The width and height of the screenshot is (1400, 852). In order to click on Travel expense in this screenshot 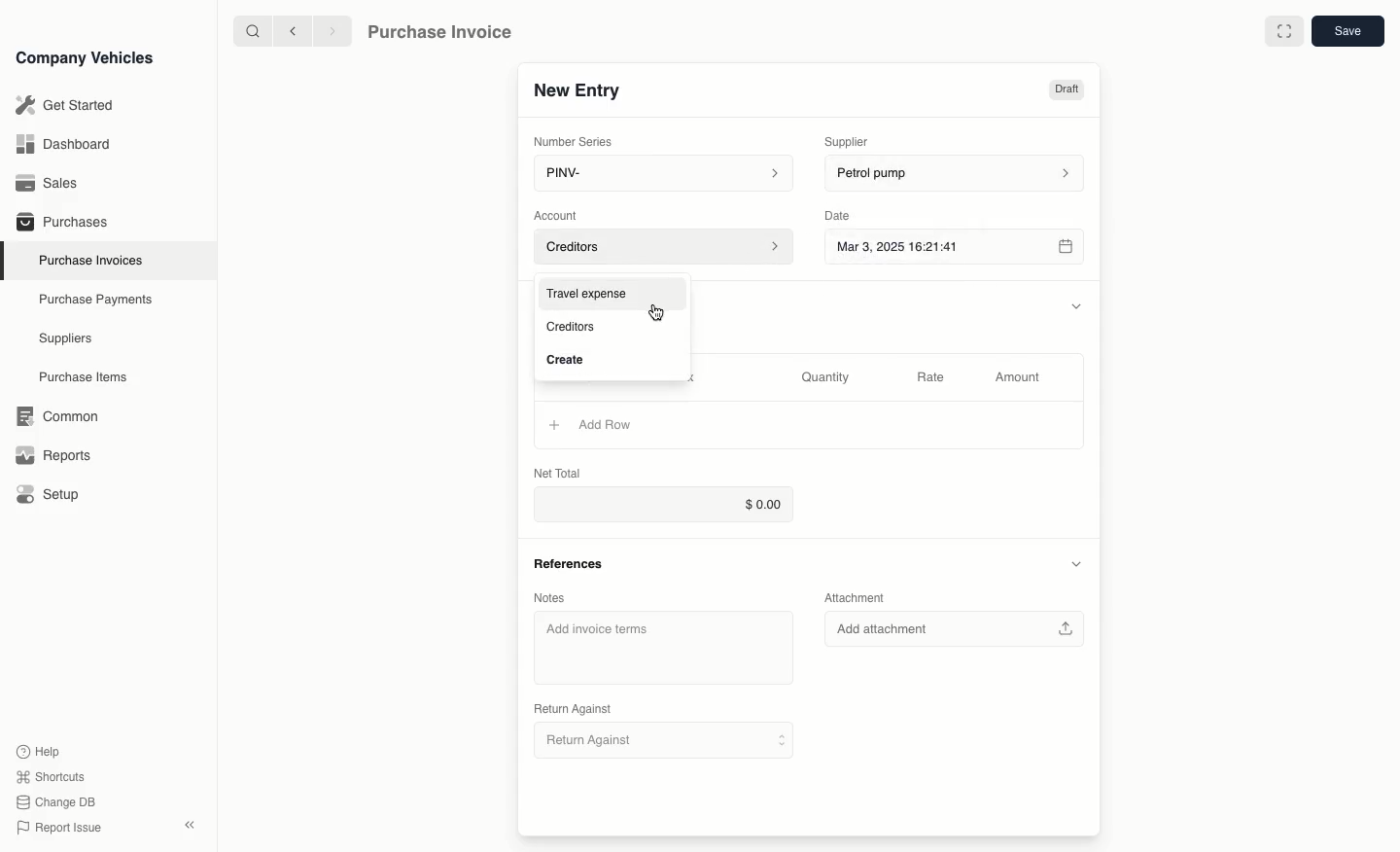, I will do `click(608, 294)`.